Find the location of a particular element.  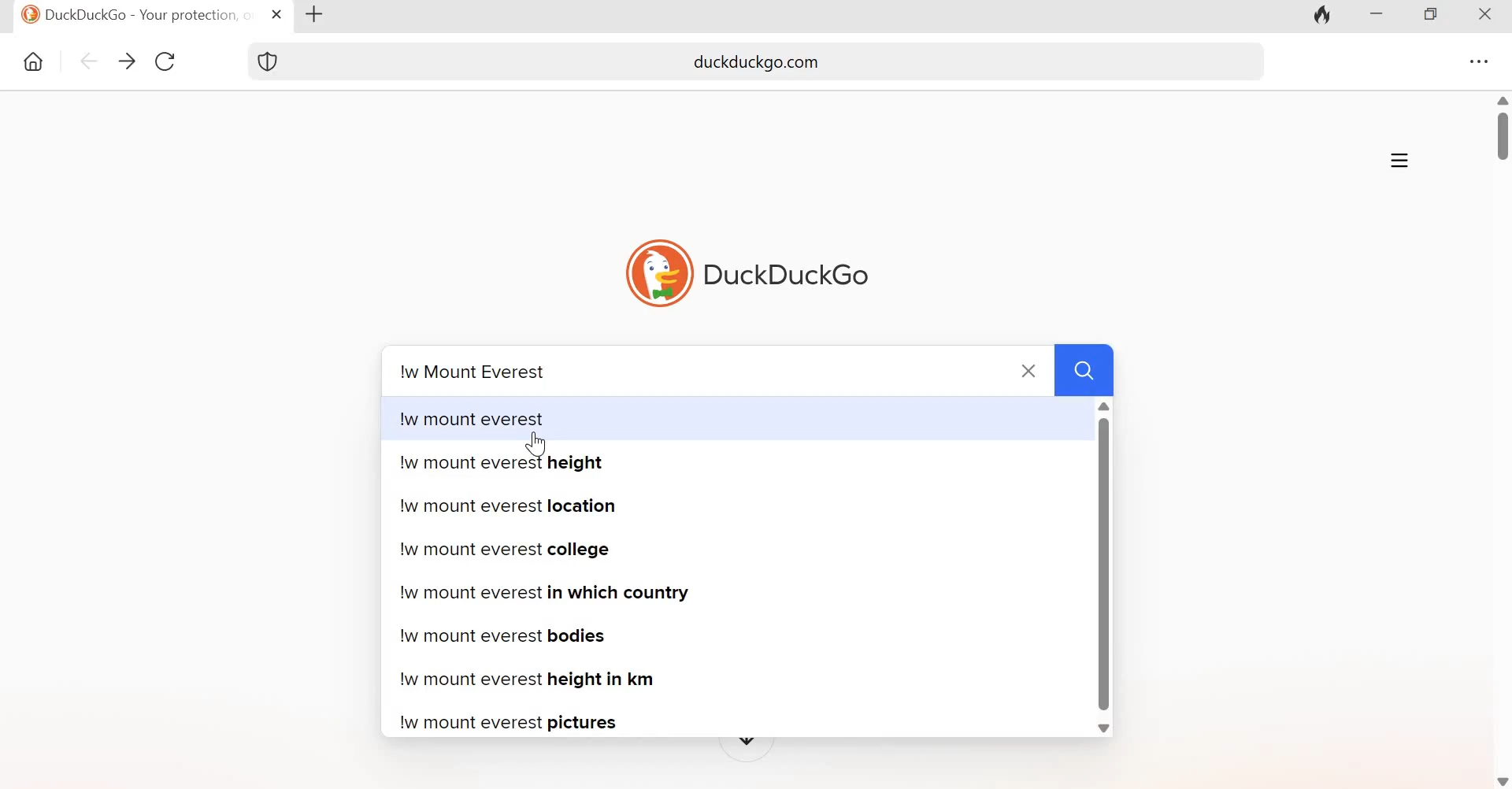

Application menu is located at coordinates (1400, 158).